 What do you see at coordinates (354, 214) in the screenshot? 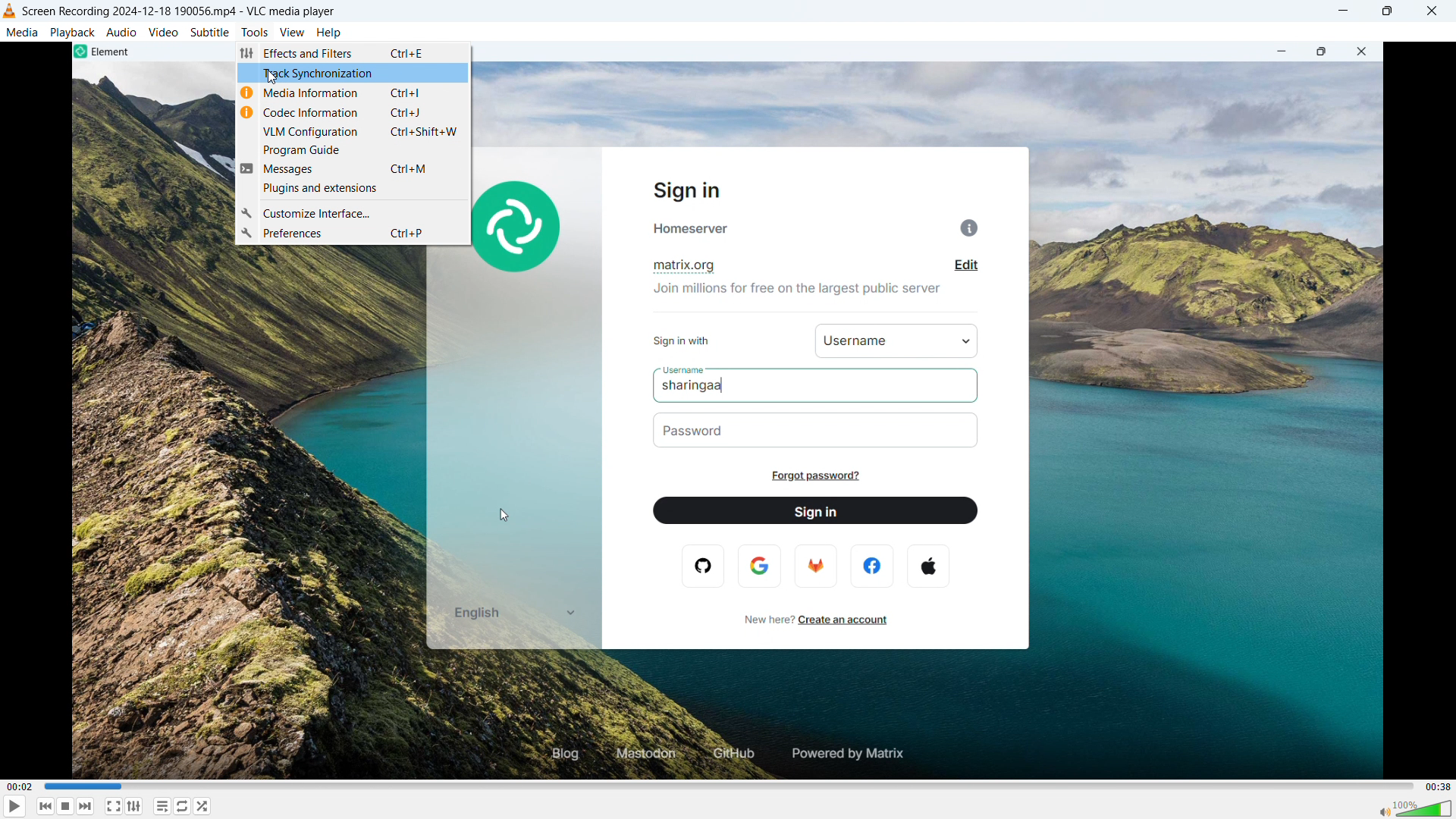
I see `customize interface` at bounding box center [354, 214].